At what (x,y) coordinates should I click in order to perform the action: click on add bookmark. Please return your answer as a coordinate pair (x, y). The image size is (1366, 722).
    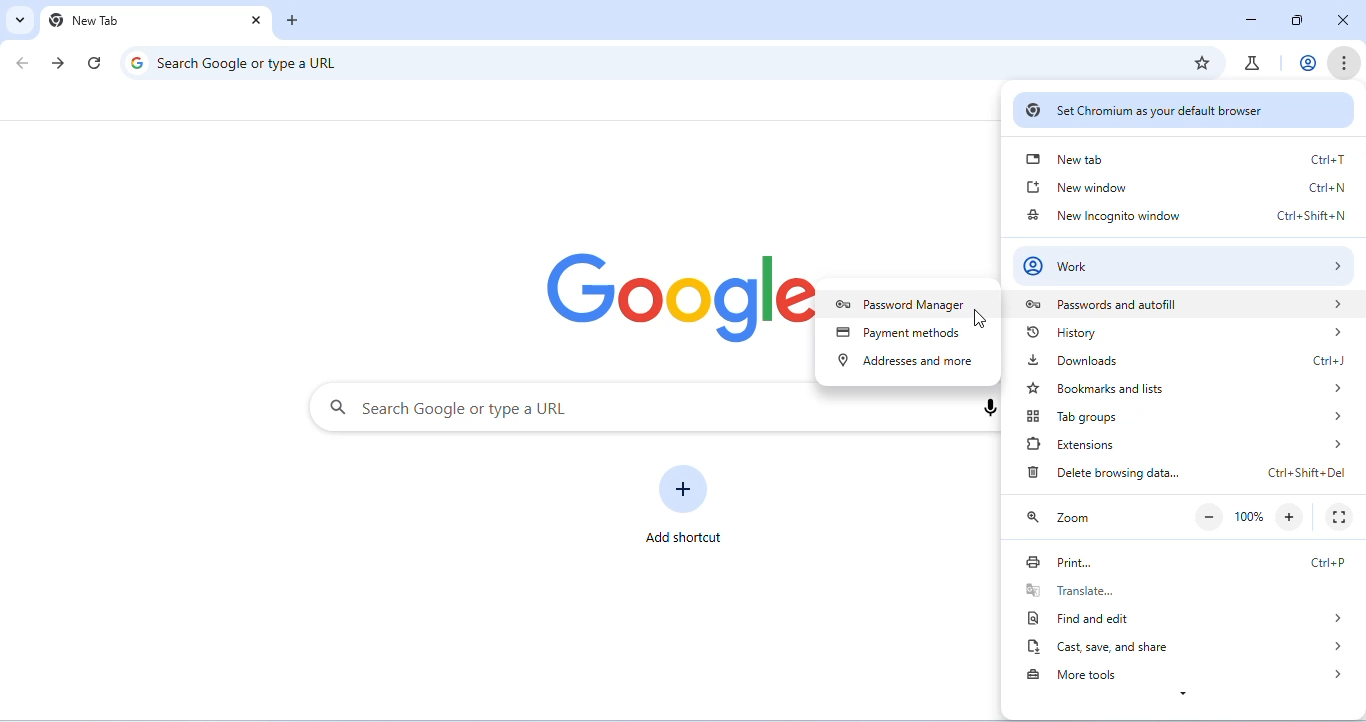
    Looking at the image, I should click on (1204, 61).